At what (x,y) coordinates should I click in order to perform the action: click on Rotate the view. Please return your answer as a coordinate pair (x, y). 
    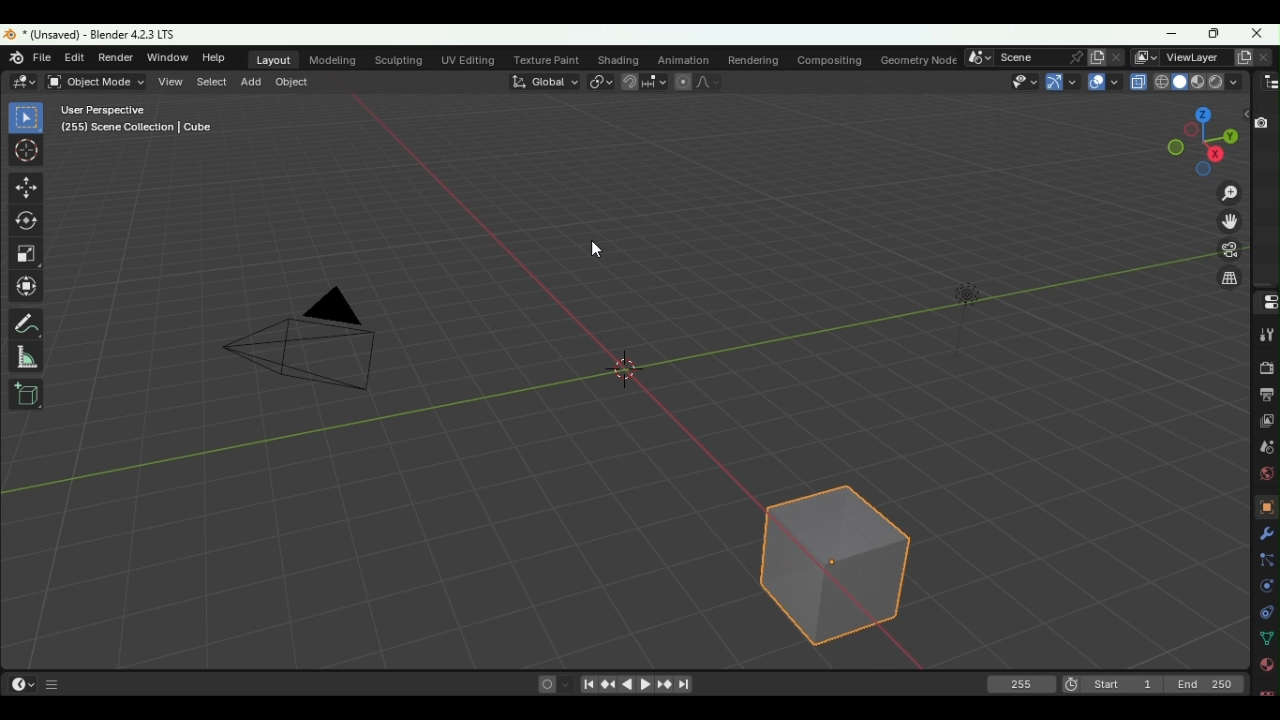
    Looking at the image, I should click on (1201, 113).